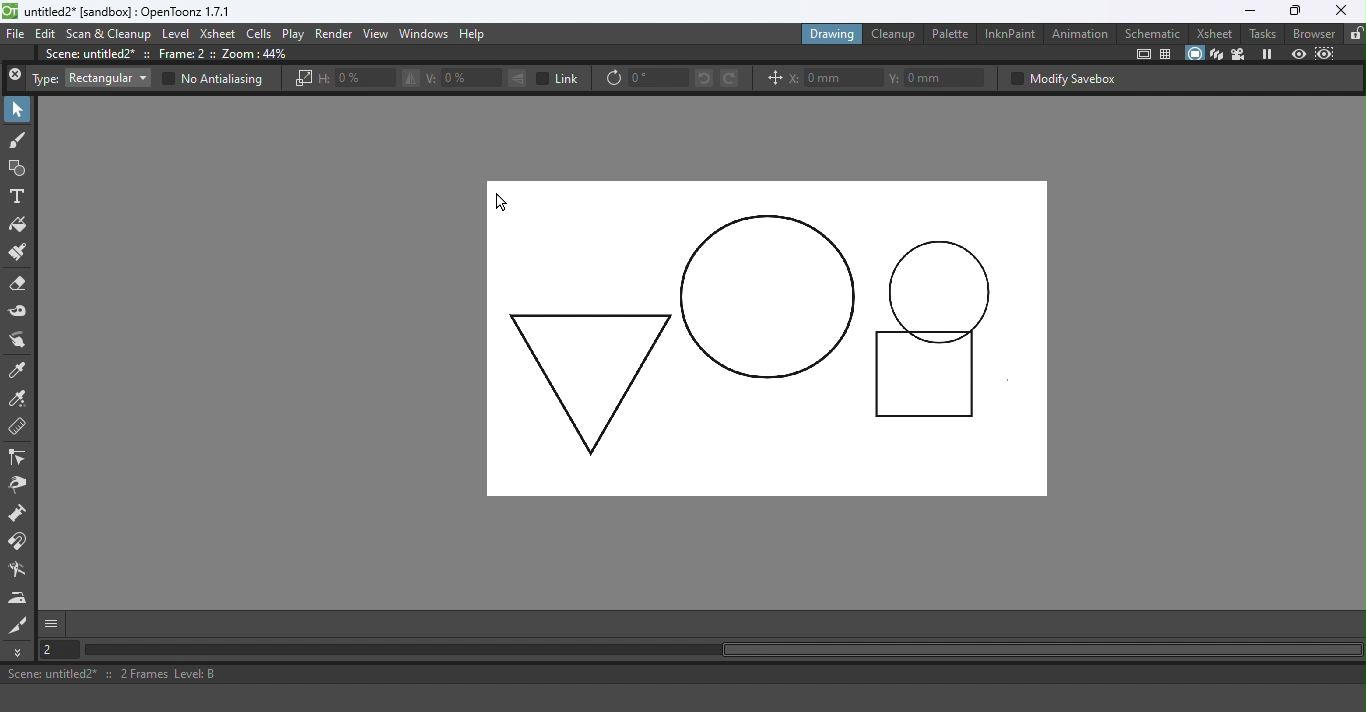 The height and width of the screenshot is (712, 1366). Describe the element at coordinates (1213, 33) in the screenshot. I see `Xsheet` at that location.